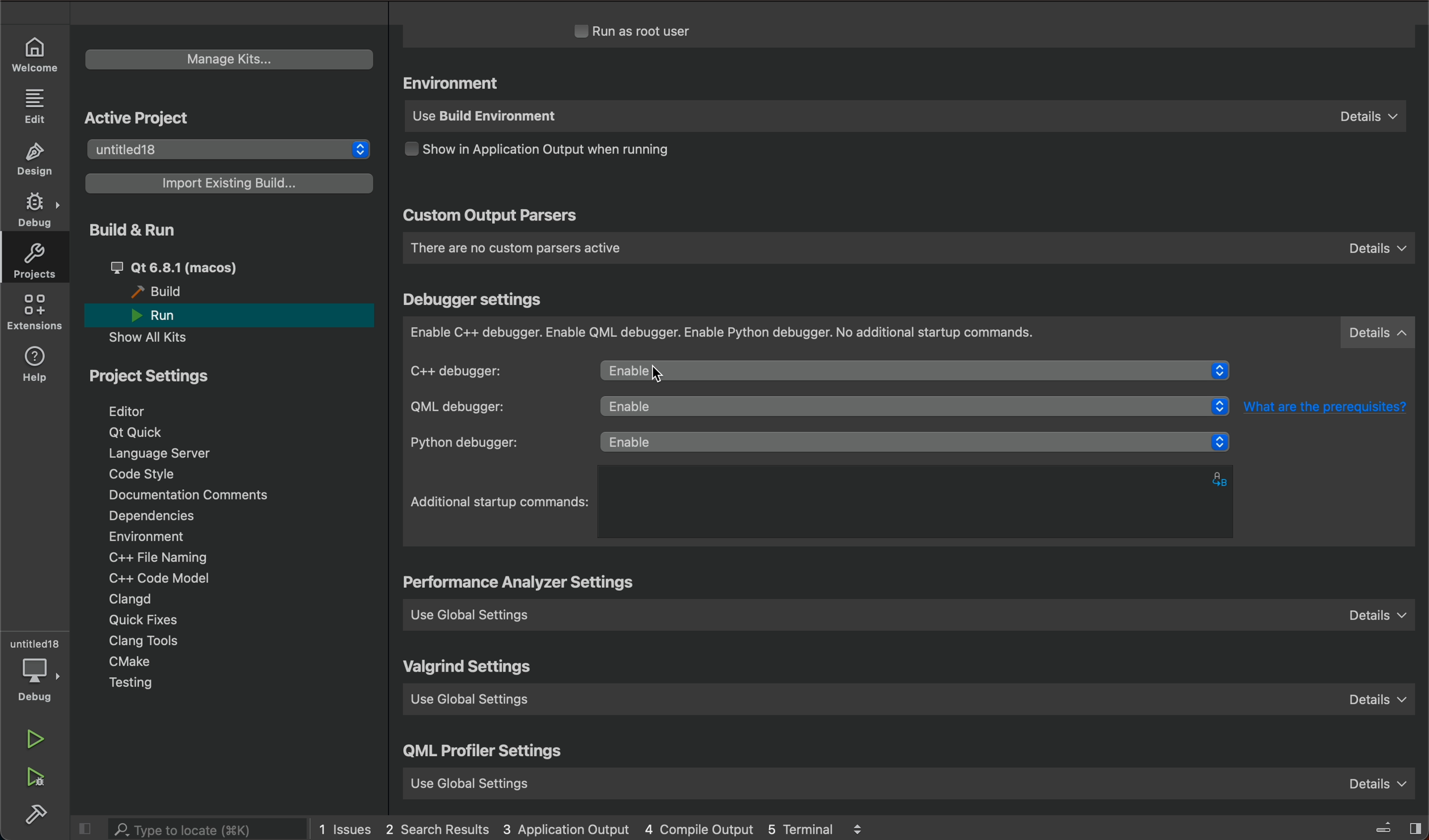 The height and width of the screenshot is (840, 1429). What do you see at coordinates (90, 829) in the screenshot?
I see `close slidebar` at bounding box center [90, 829].